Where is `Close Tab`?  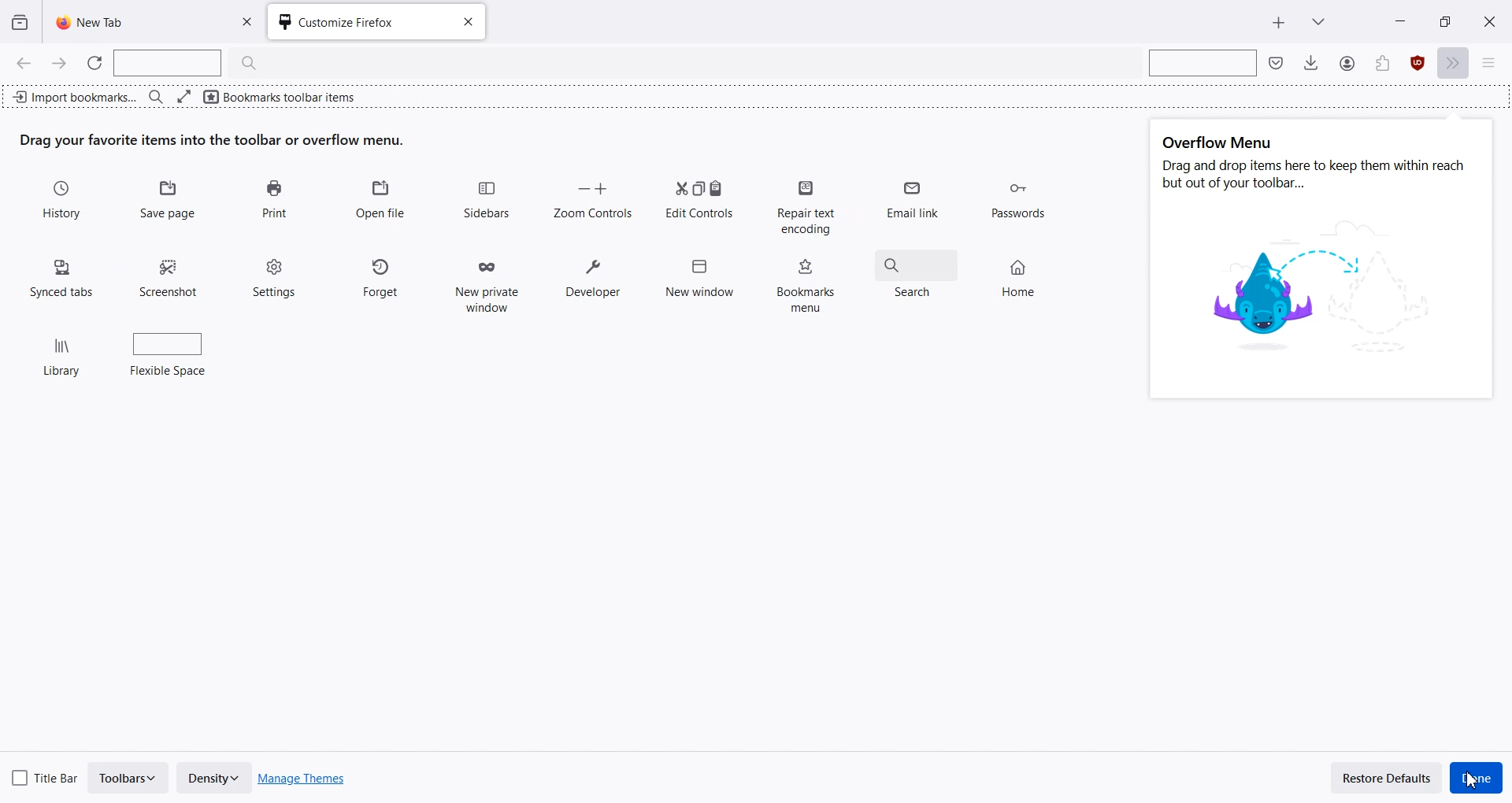 Close Tab is located at coordinates (251, 22).